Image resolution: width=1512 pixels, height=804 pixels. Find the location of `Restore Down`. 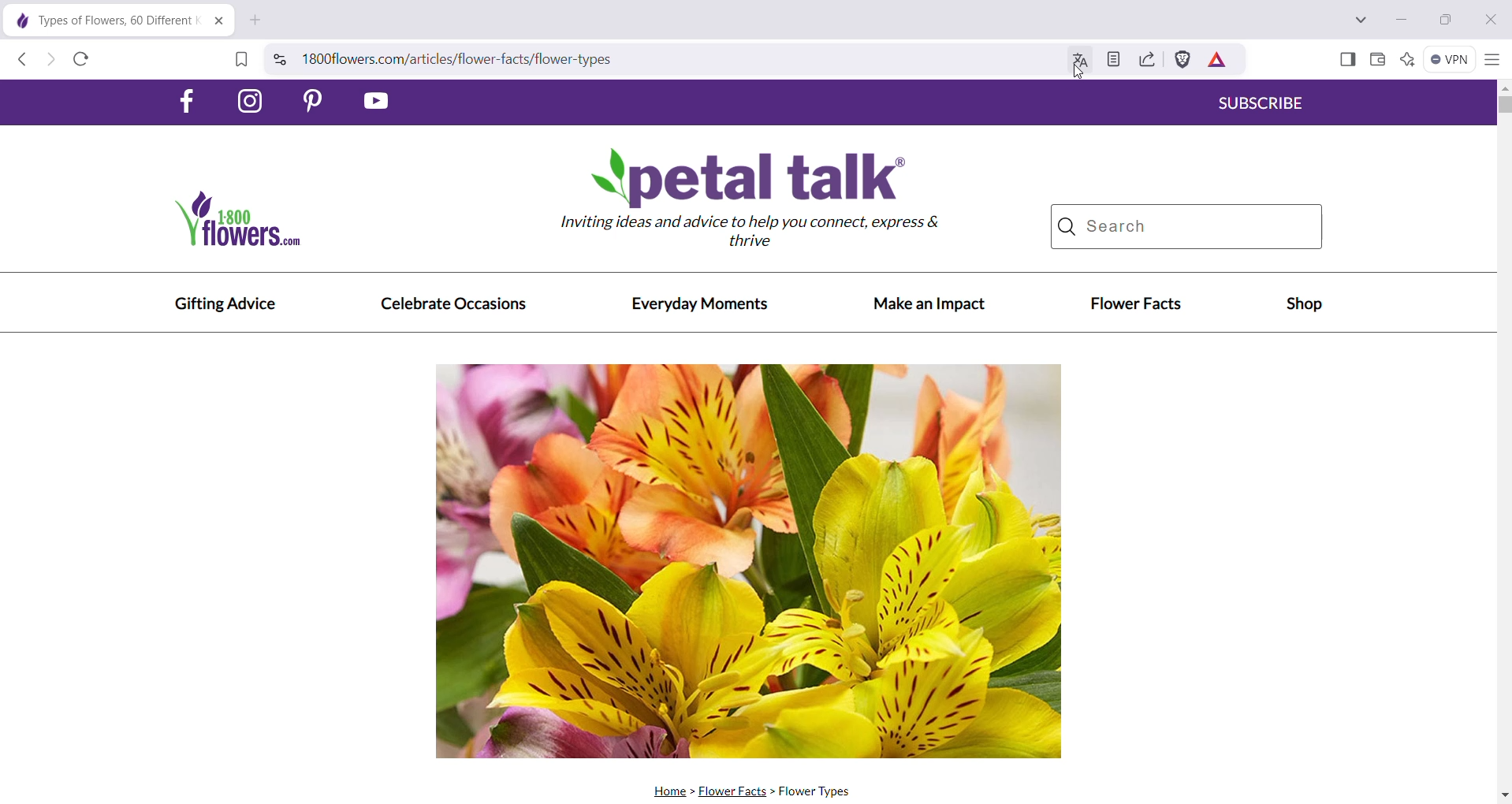

Restore Down is located at coordinates (1442, 20).